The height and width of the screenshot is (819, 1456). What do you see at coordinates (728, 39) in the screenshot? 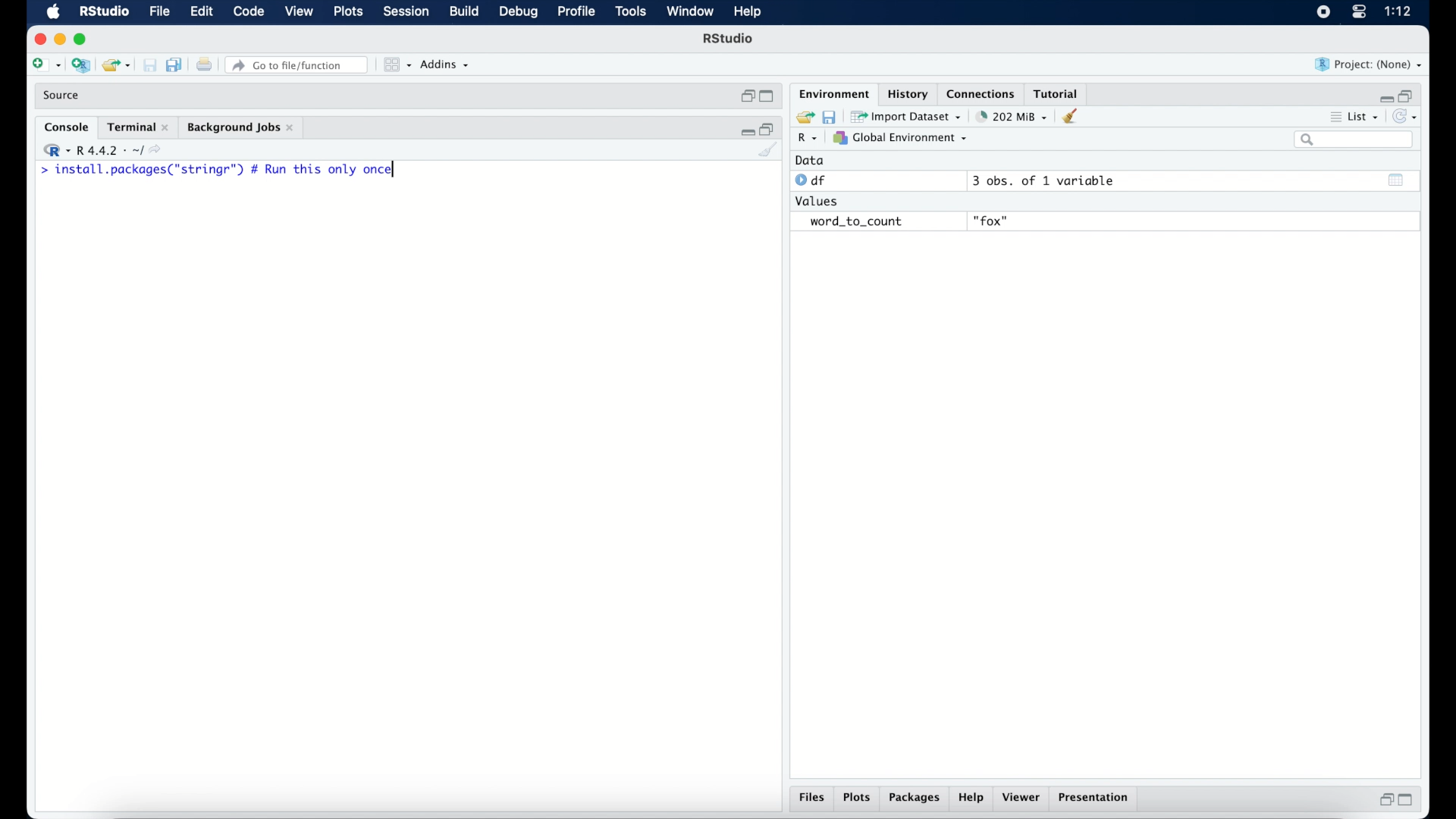
I see `R studio` at bounding box center [728, 39].